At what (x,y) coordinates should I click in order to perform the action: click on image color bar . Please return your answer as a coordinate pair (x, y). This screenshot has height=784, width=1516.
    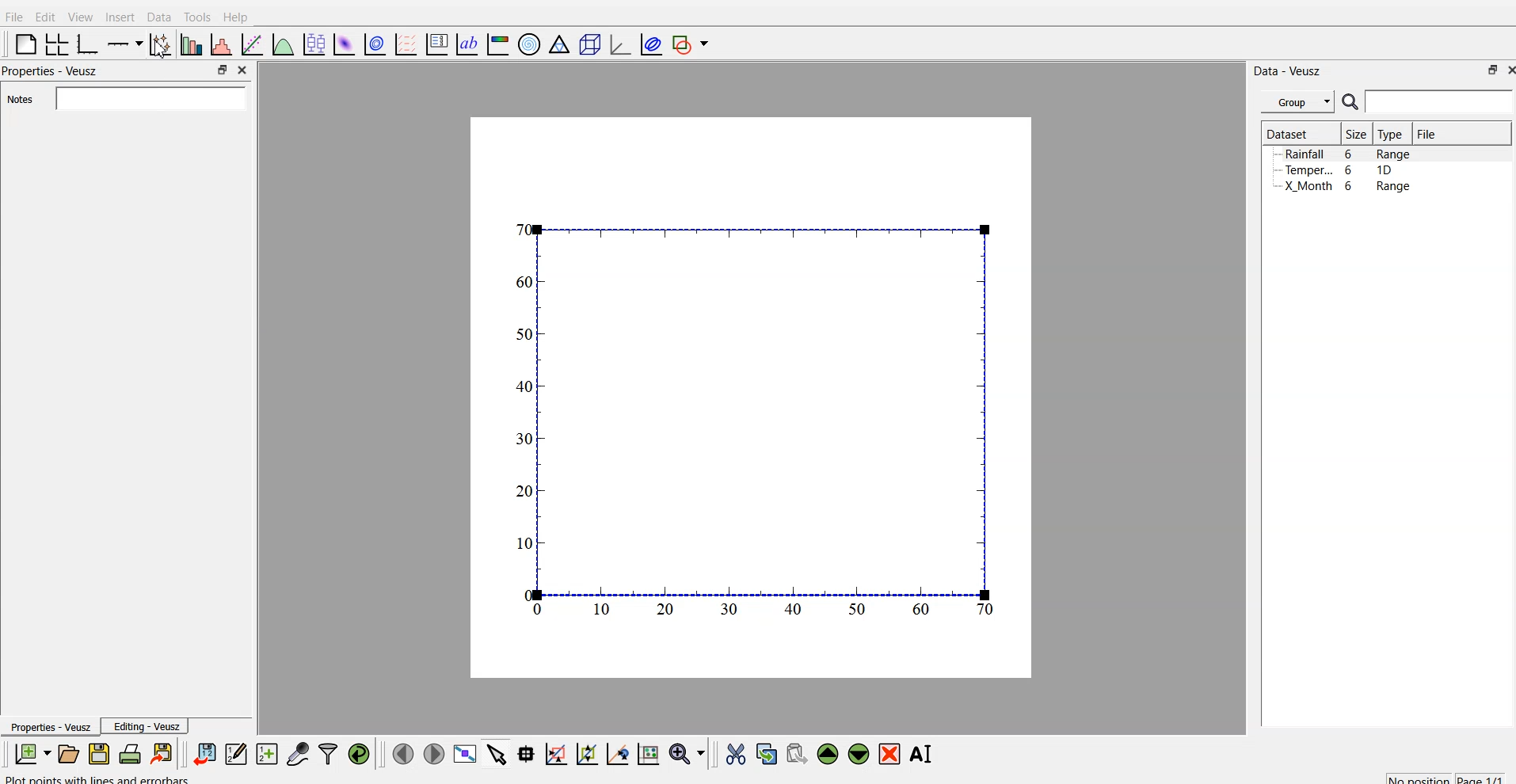
    Looking at the image, I should click on (497, 44).